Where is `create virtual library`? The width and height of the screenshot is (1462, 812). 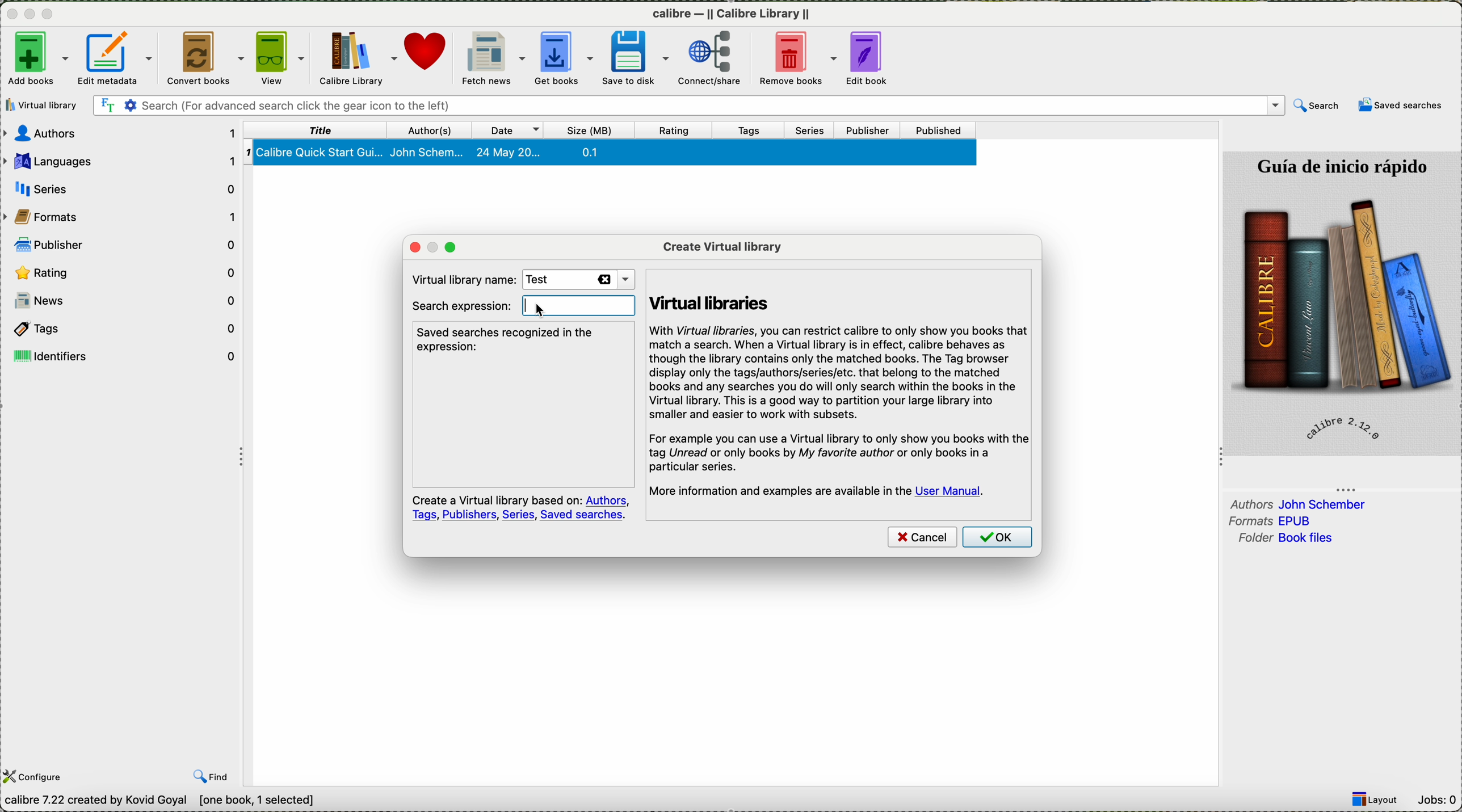 create virtual library is located at coordinates (722, 245).